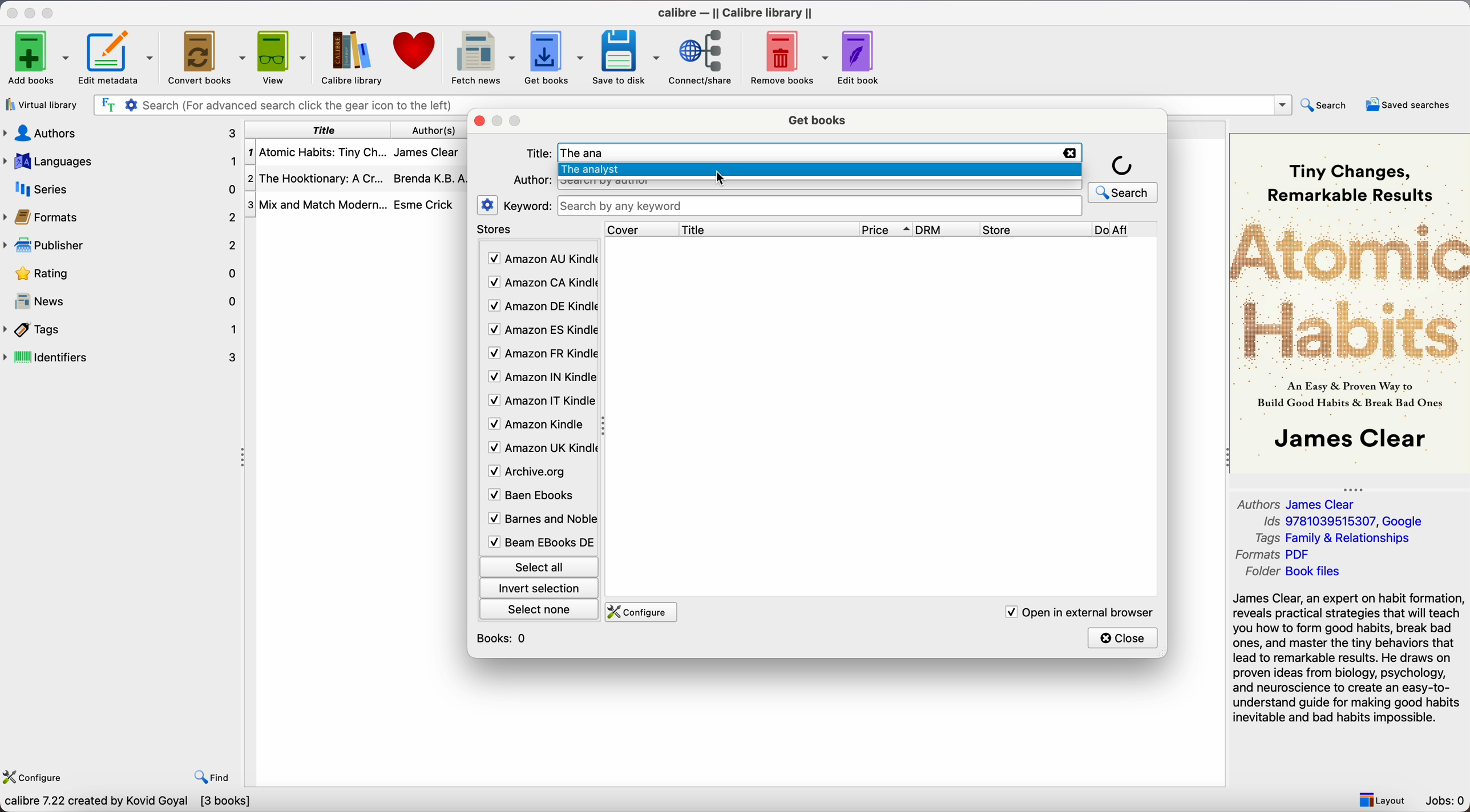  What do you see at coordinates (1350, 302) in the screenshot?
I see `Book cover preview` at bounding box center [1350, 302].